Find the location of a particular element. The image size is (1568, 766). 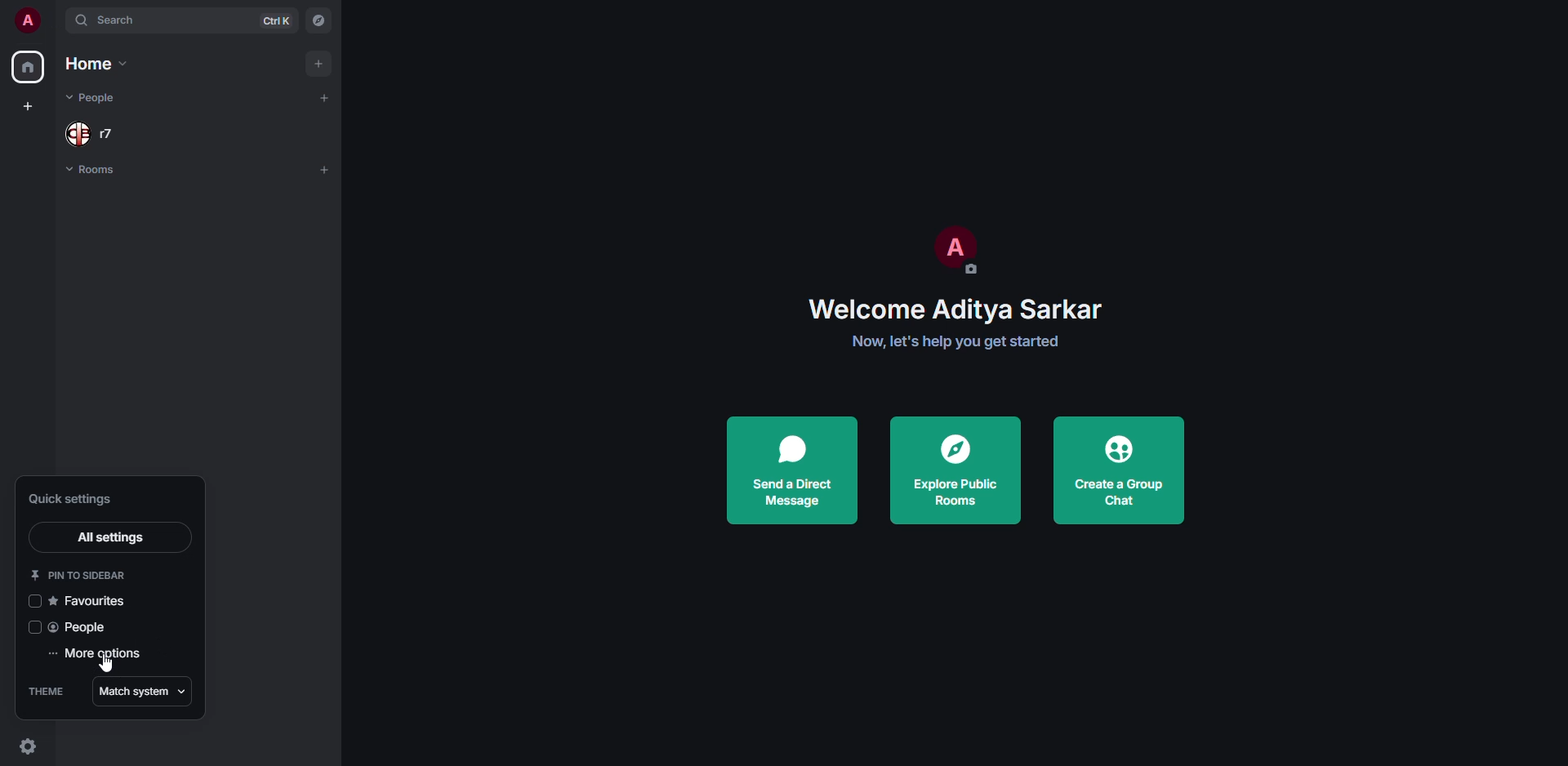

theme is located at coordinates (46, 691).